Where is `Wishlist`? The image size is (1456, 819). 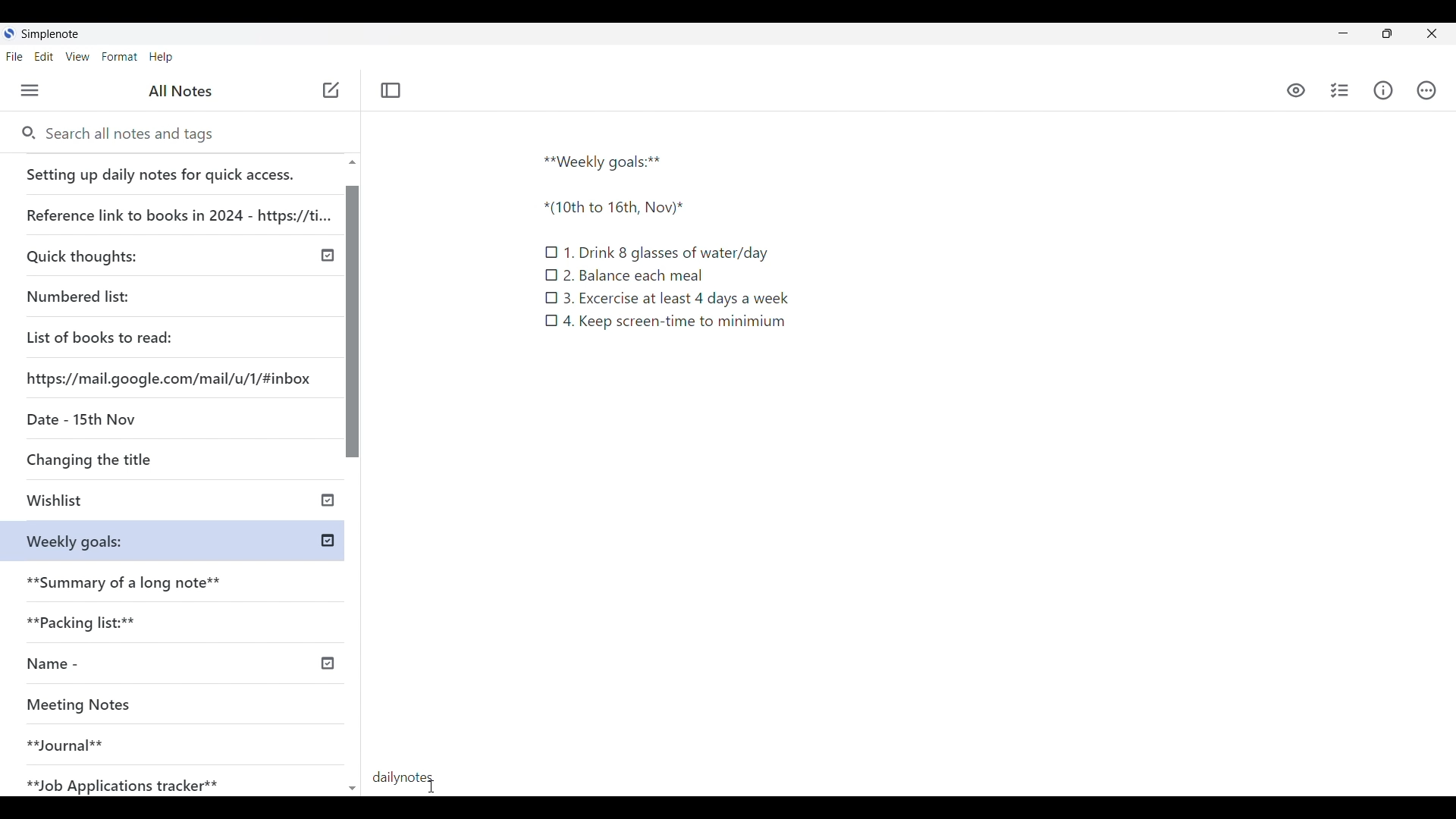 Wishlist is located at coordinates (127, 502).